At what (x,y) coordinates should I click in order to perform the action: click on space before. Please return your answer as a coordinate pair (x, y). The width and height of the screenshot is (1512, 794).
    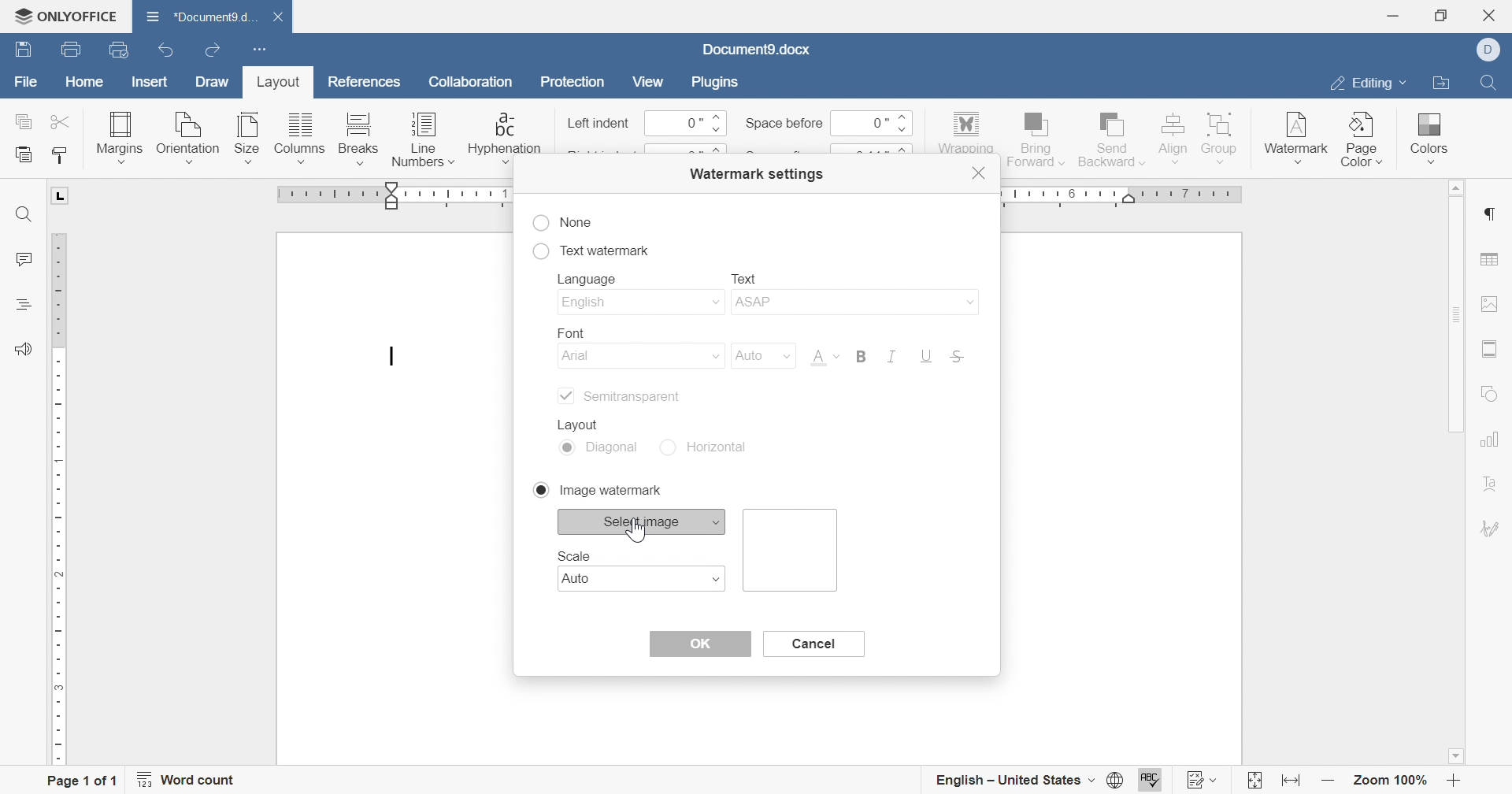
    Looking at the image, I should click on (784, 123).